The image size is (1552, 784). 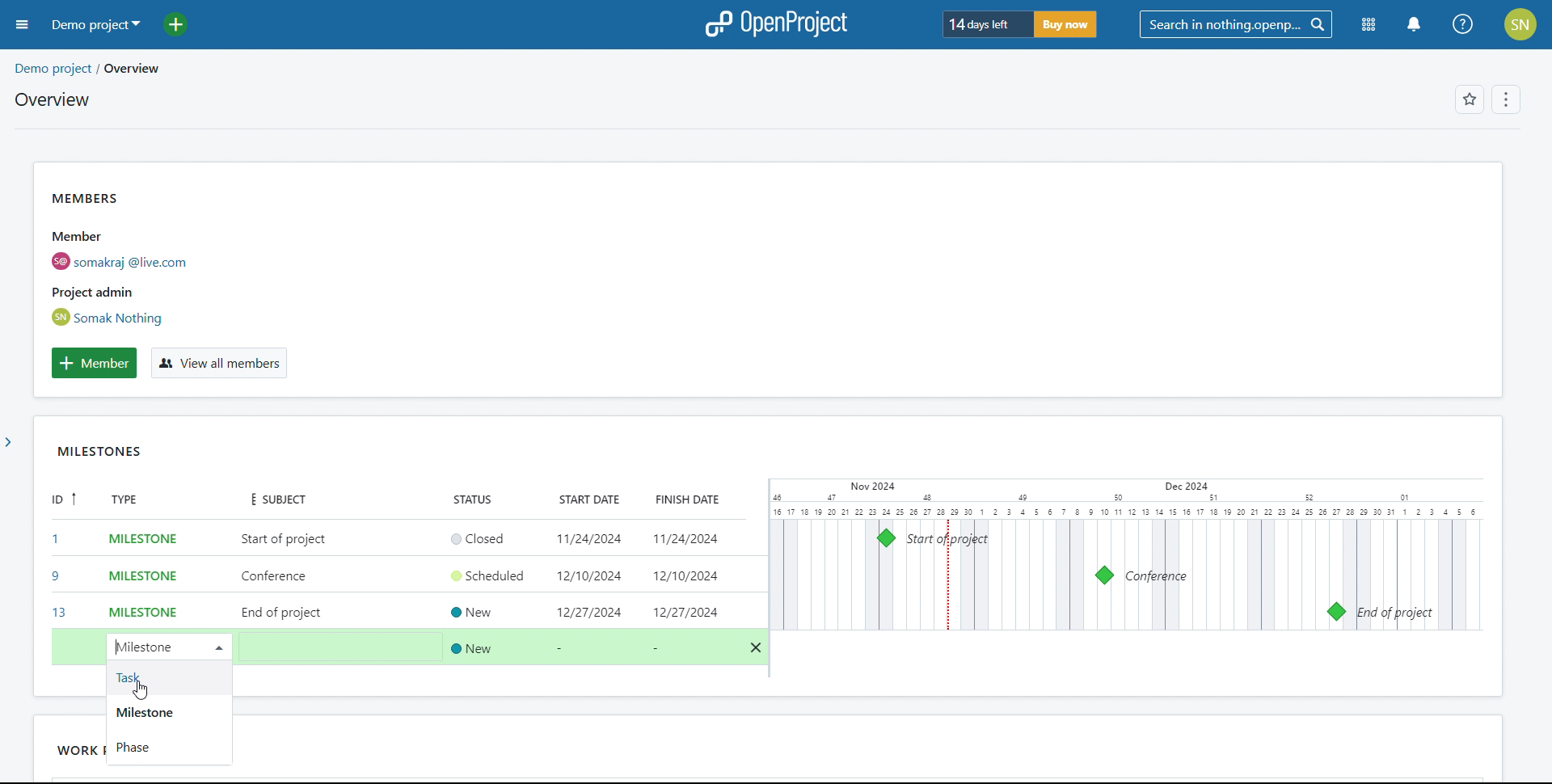 What do you see at coordinates (584, 500) in the screenshot?
I see `start date` at bounding box center [584, 500].